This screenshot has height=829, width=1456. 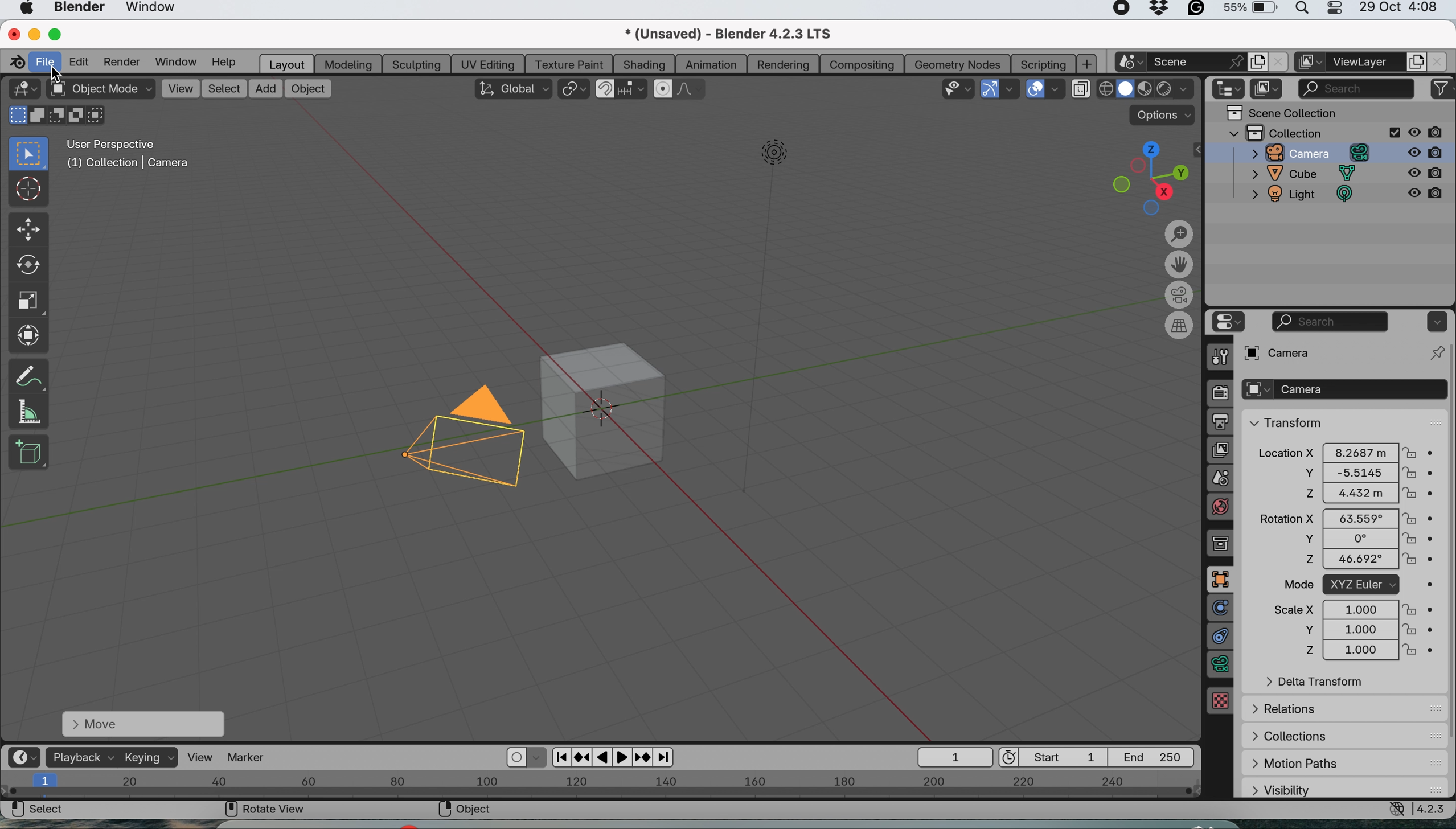 I want to click on help, so click(x=229, y=62).